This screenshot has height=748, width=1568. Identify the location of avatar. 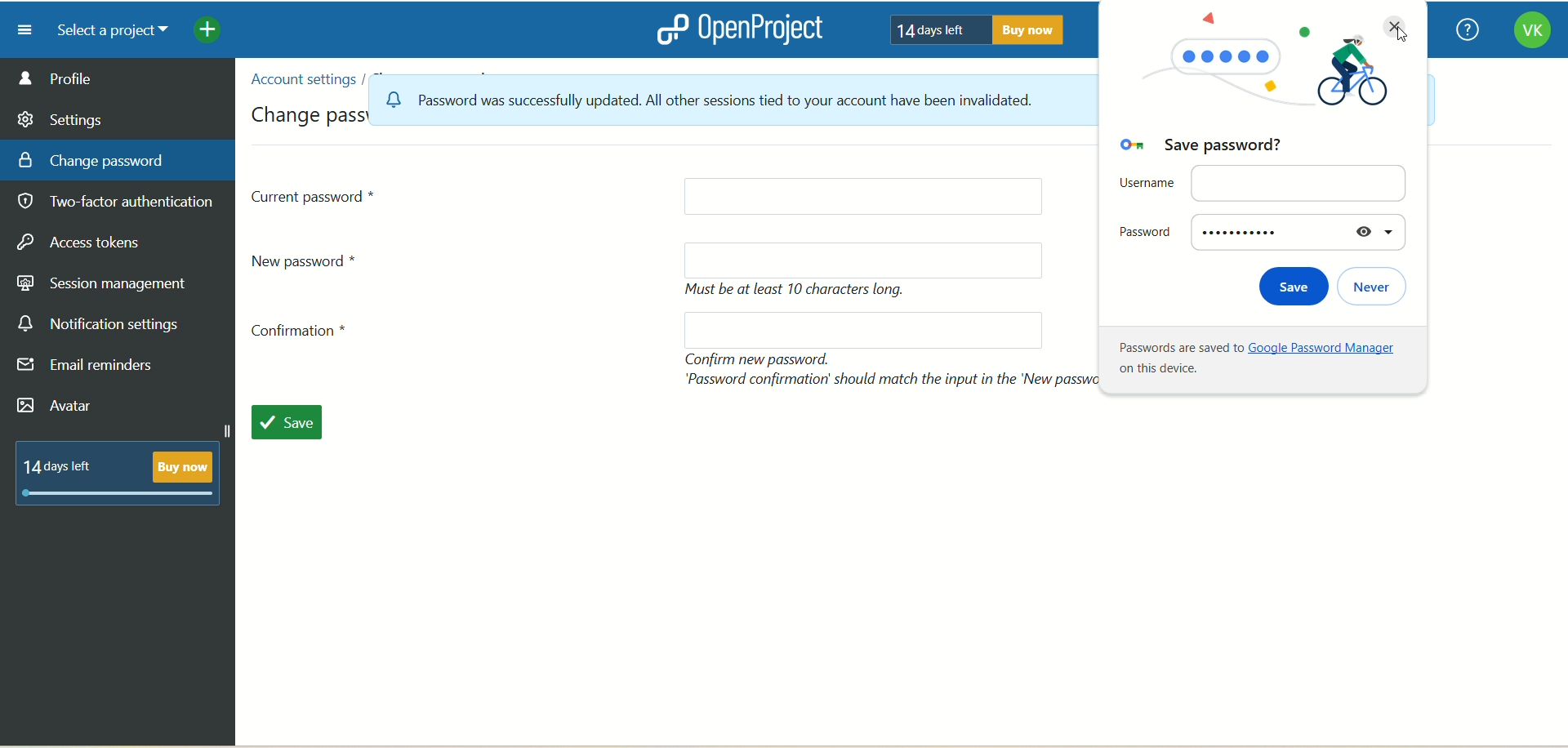
(58, 407).